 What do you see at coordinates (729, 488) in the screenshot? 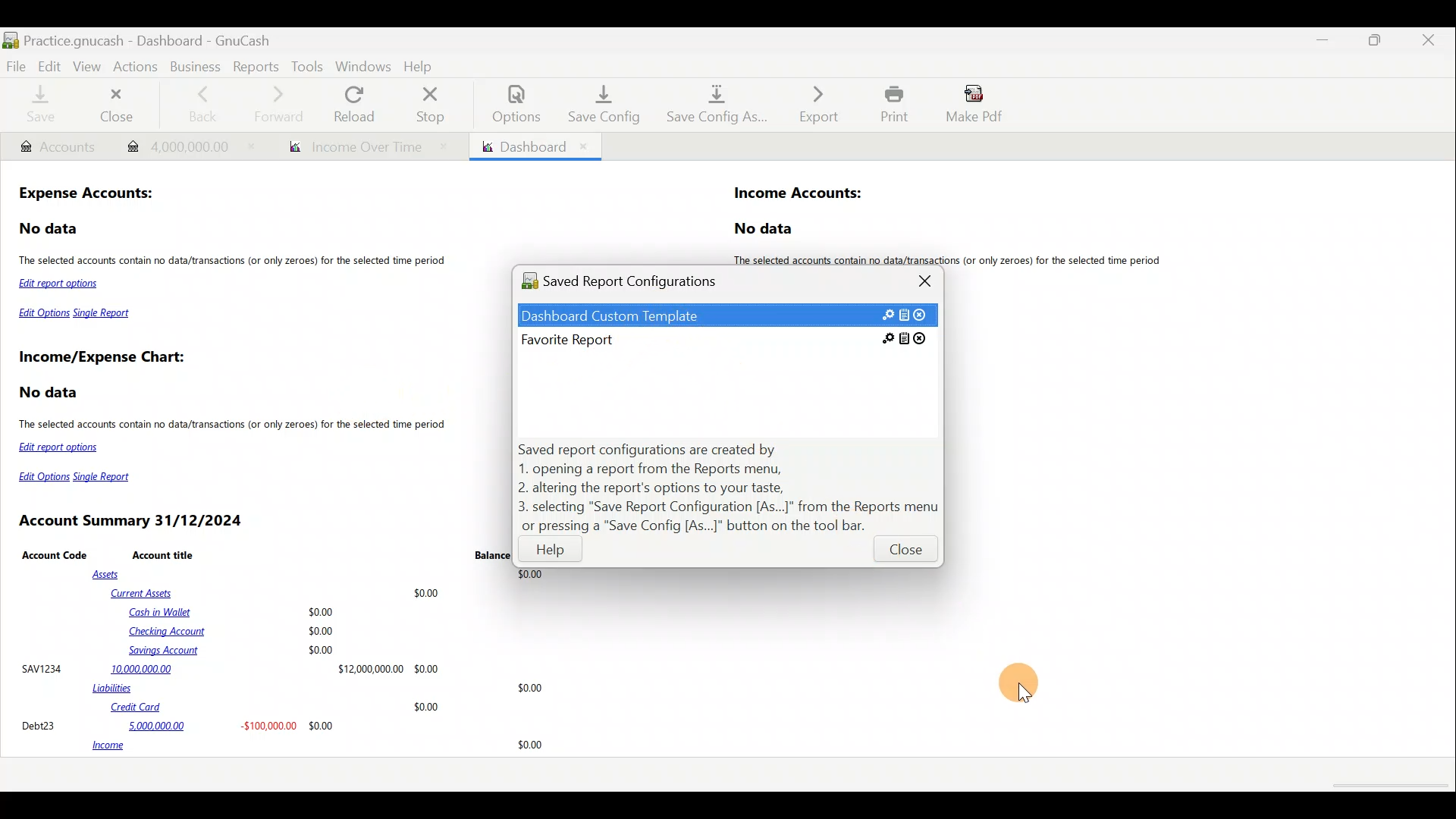
I see `Saved report configurations are created by

1. opening a report from the Reports menu,

2. altering the report's options to your taste,

3. selecting "Save Report Configuration [As...]" from the Reports menu
or pressing a "Save Config [As...]" button on the tool bar.` at bounding box center [729, 488].